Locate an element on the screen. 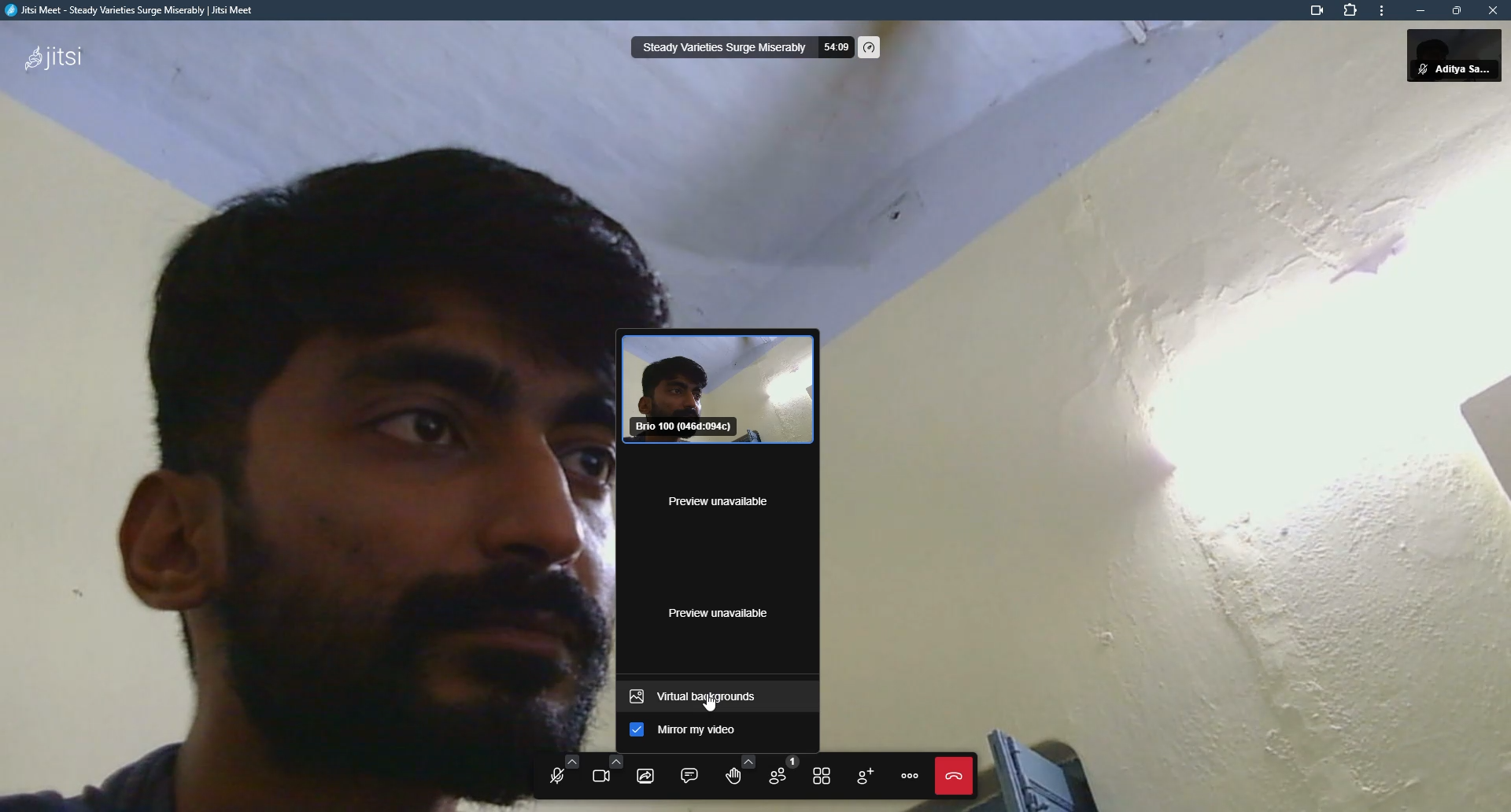 The image size is (1511, 812). performance setting is located at coordinates (870, 48).